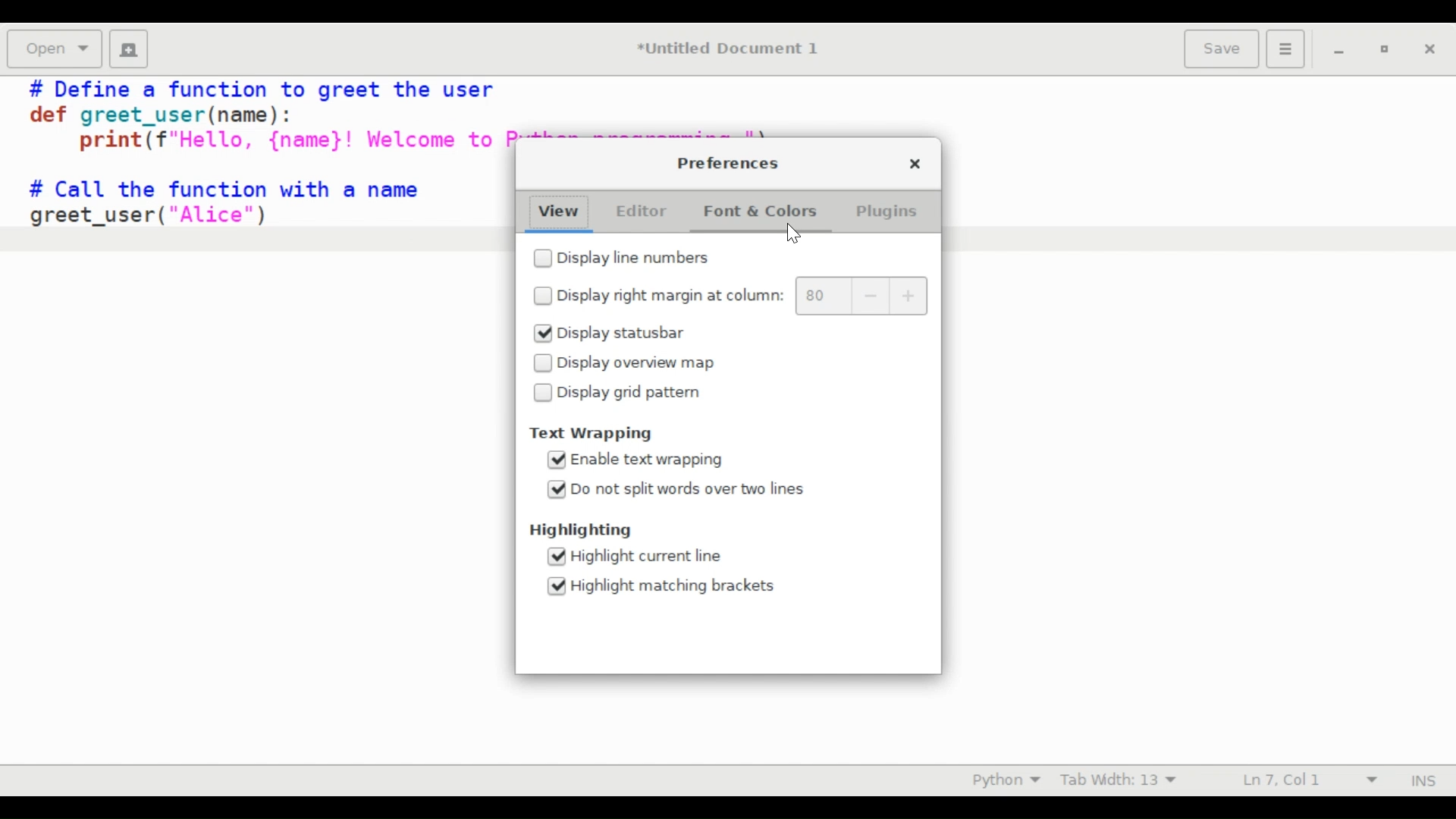  What do you see at coordinates (728, 164) in the screenshot?
I see `Preferences` at bounding box center [728, 164].